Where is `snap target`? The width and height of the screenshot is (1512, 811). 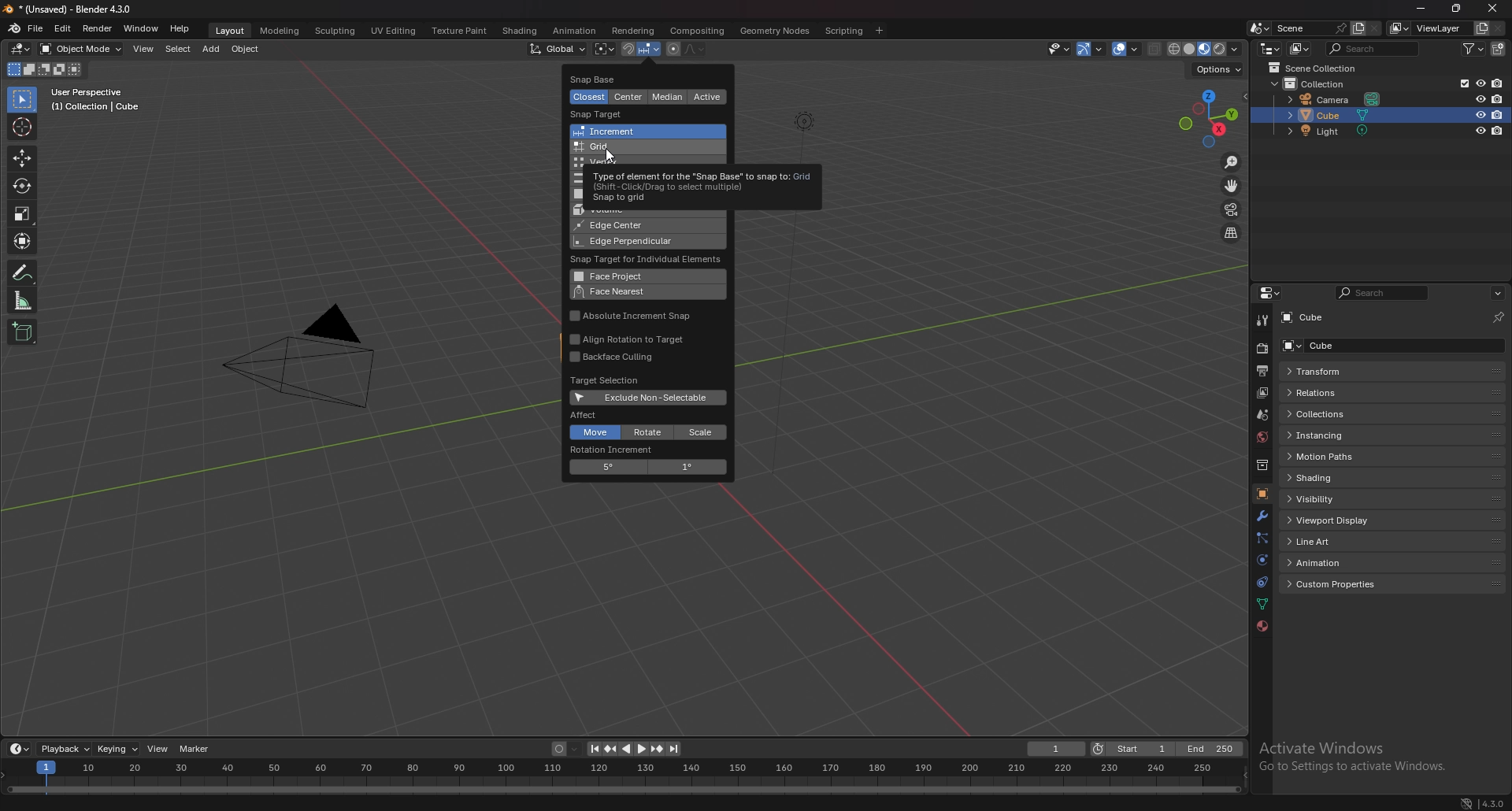 snap target is located at coordinates (602, 114).